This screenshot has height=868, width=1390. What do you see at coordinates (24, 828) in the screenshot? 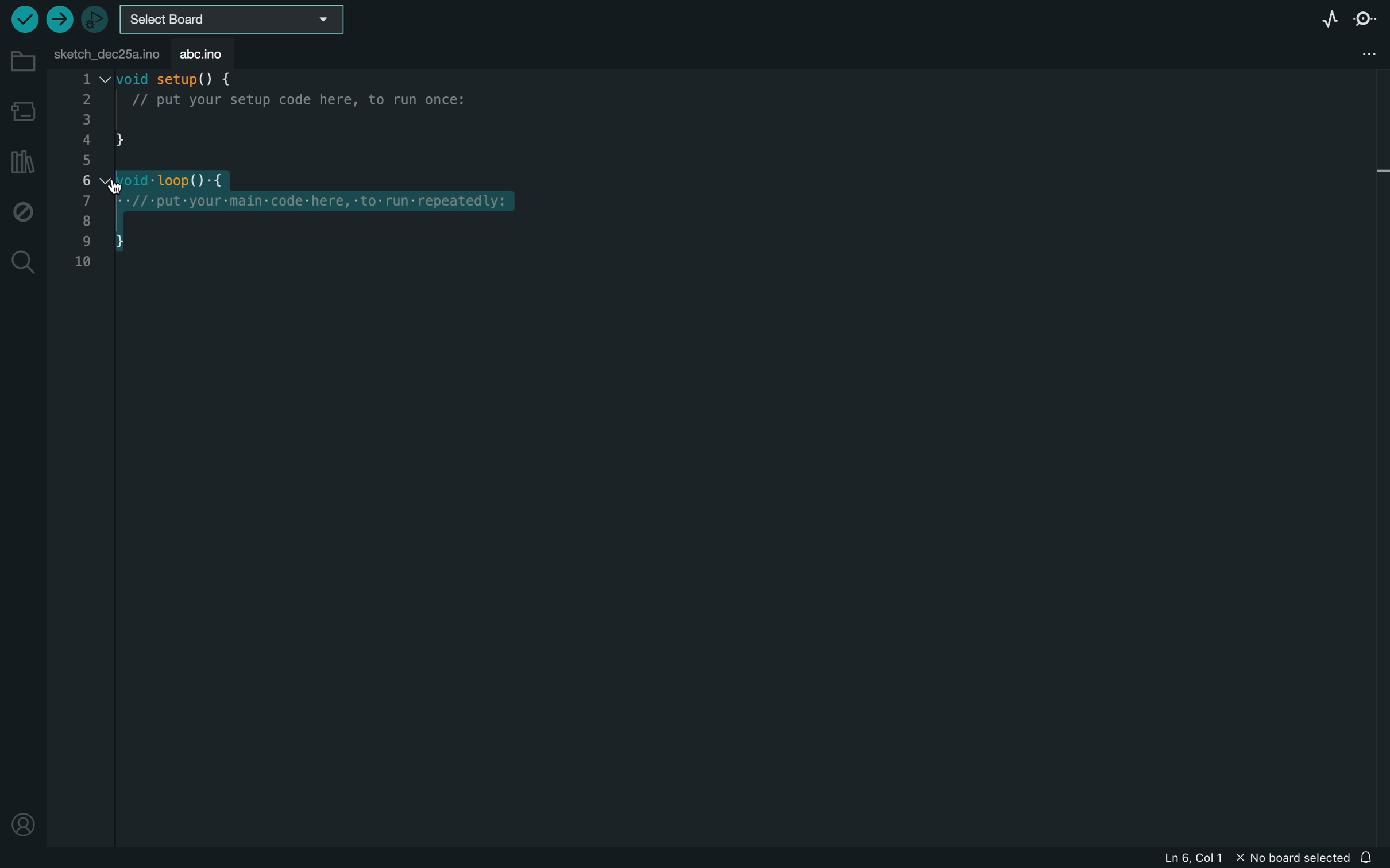
I see `profile` at bounding box center [24, 828].